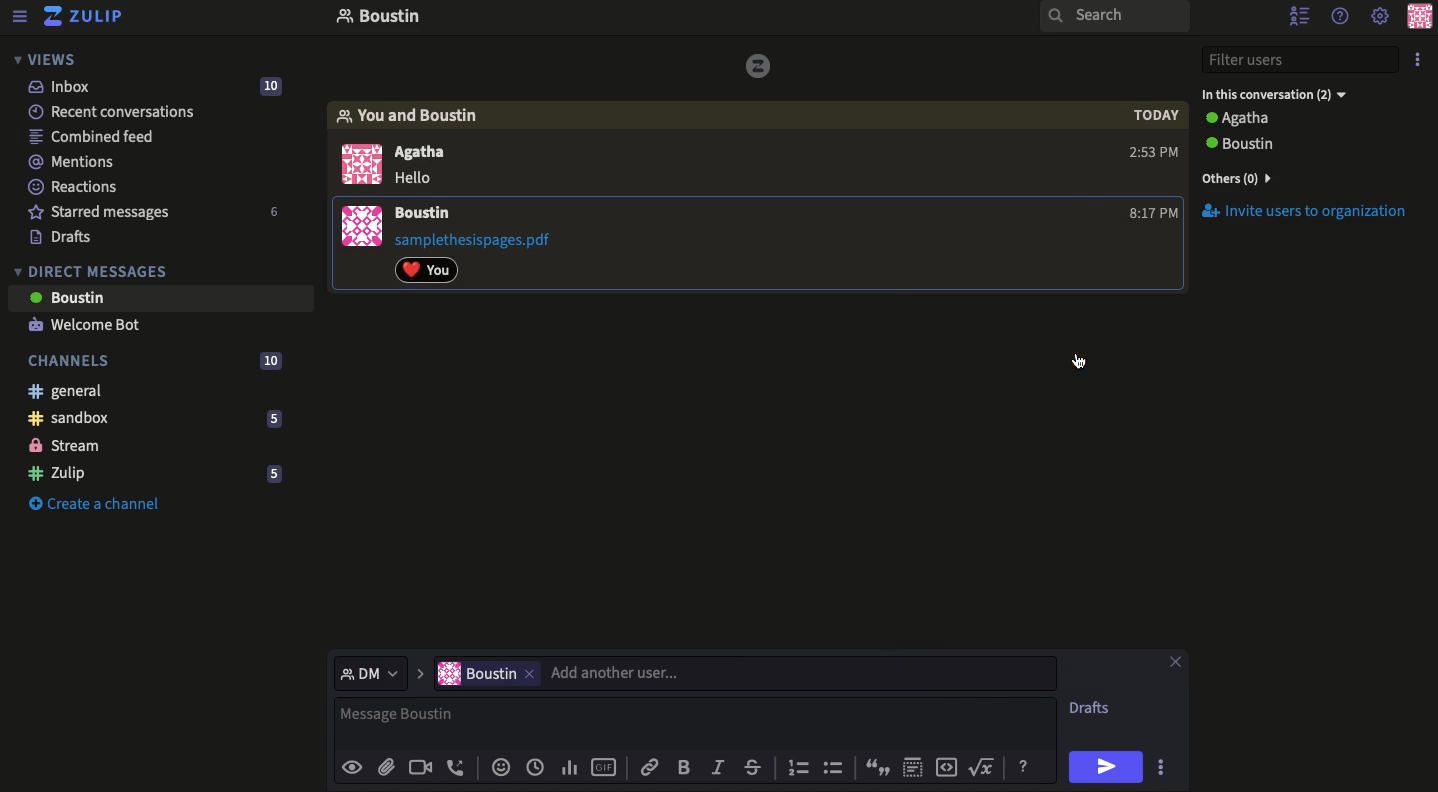 Image resolution: width=1438 pixels, height=792 pixels. I want to click on Settings, so click(1380, 17).